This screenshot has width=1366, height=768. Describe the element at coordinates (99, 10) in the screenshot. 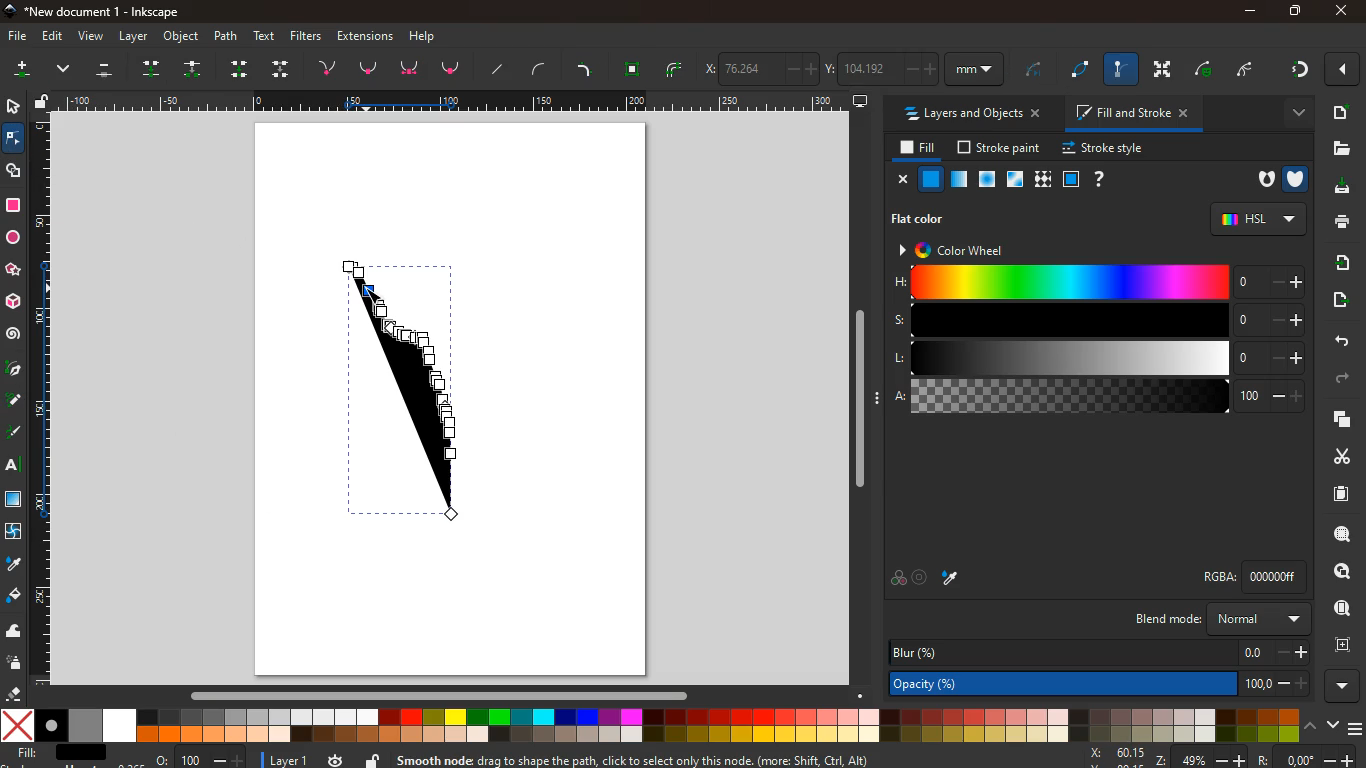

I see `inkscape` at that location.